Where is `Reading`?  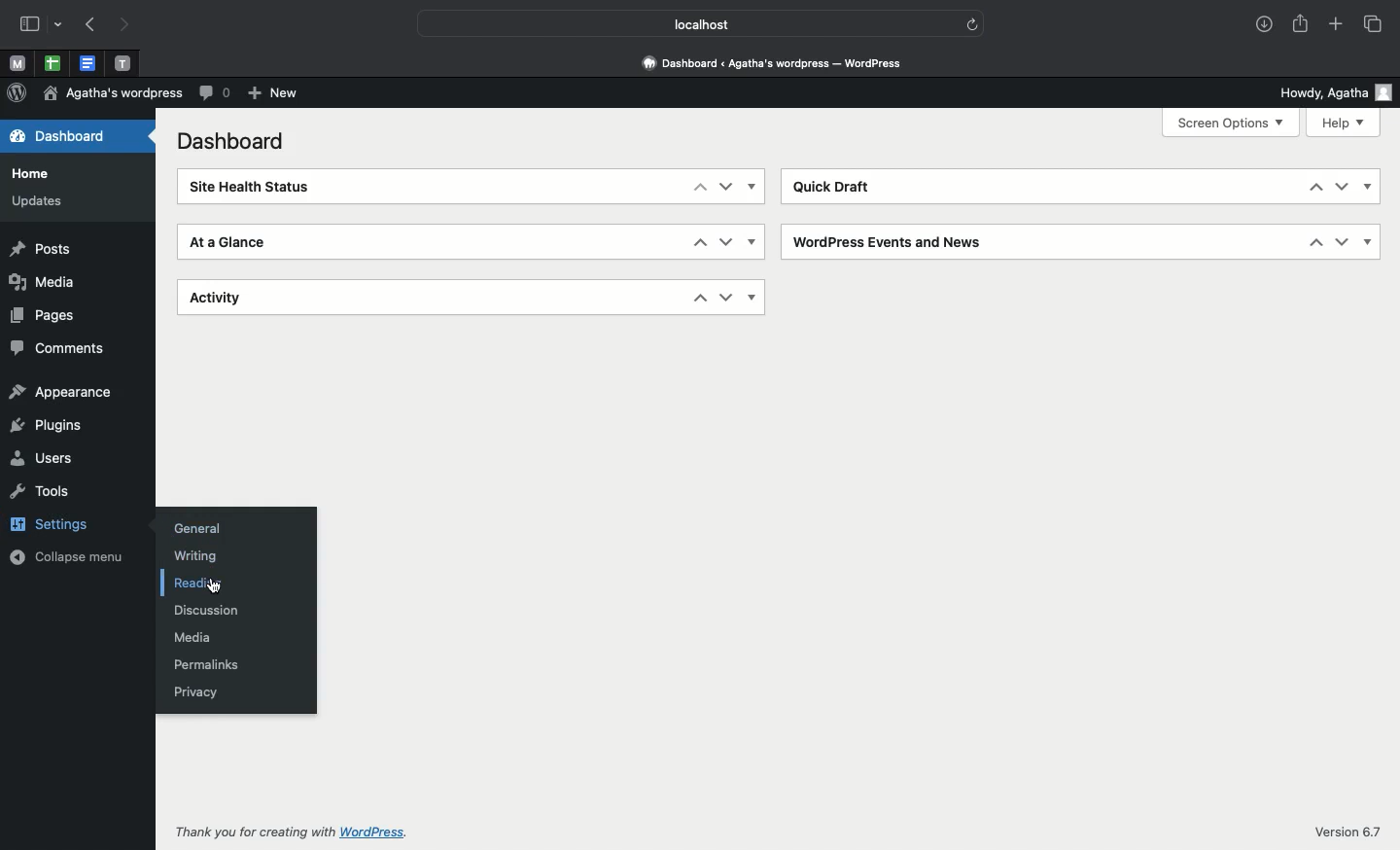 Reading is located at coordinates (209, 586).